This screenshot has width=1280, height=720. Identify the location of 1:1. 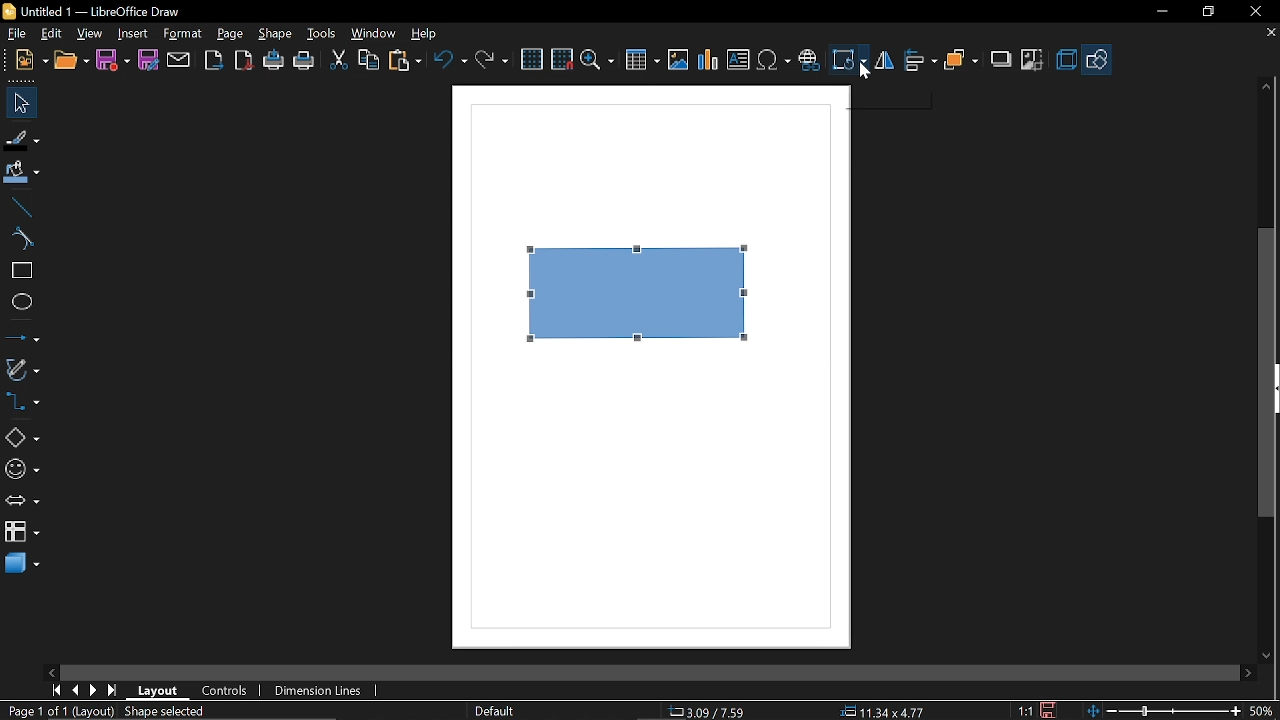
(1025, 710).